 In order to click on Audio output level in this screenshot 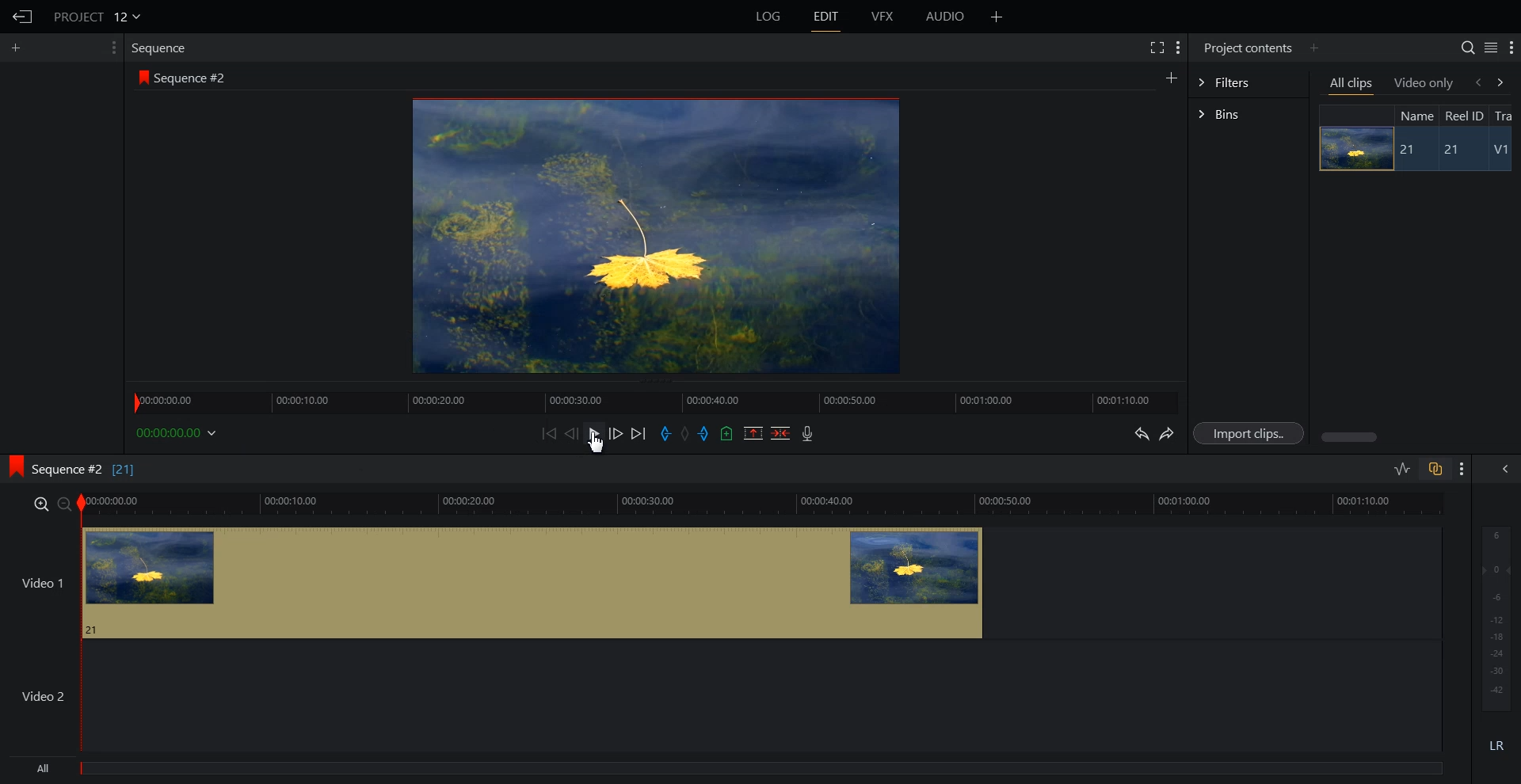, I will do `click(1493, 616)`.